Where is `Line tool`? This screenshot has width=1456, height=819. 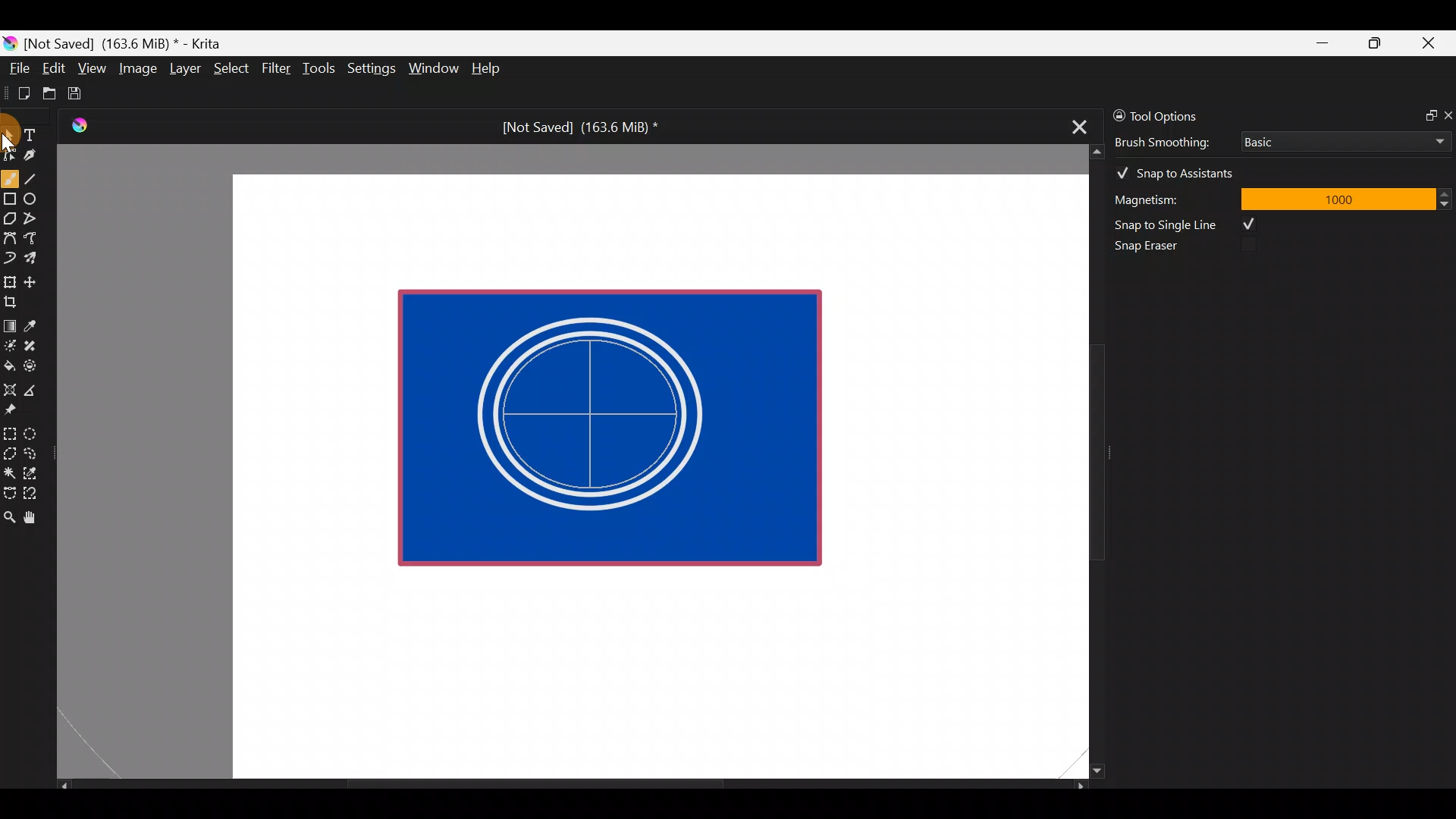
Line tool is located at coordinates (40, 177).